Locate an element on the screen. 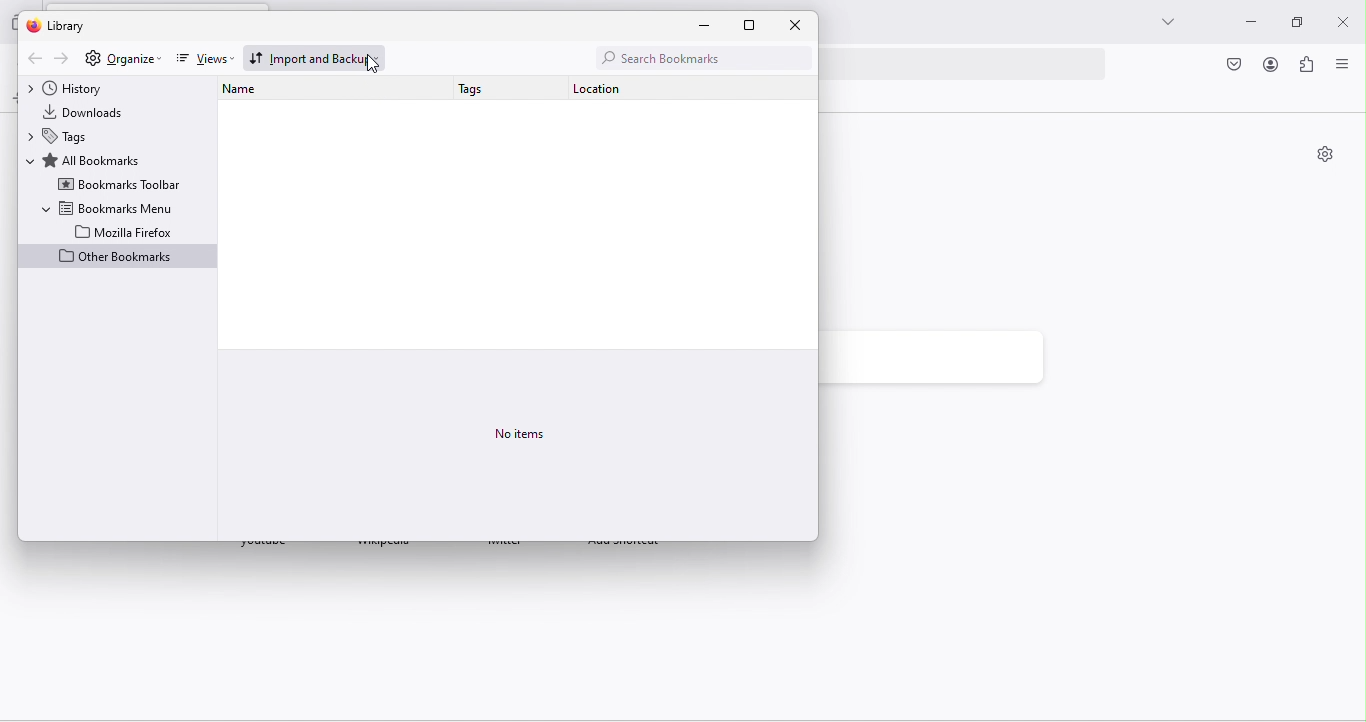  library is located at coordinates (65, 26).